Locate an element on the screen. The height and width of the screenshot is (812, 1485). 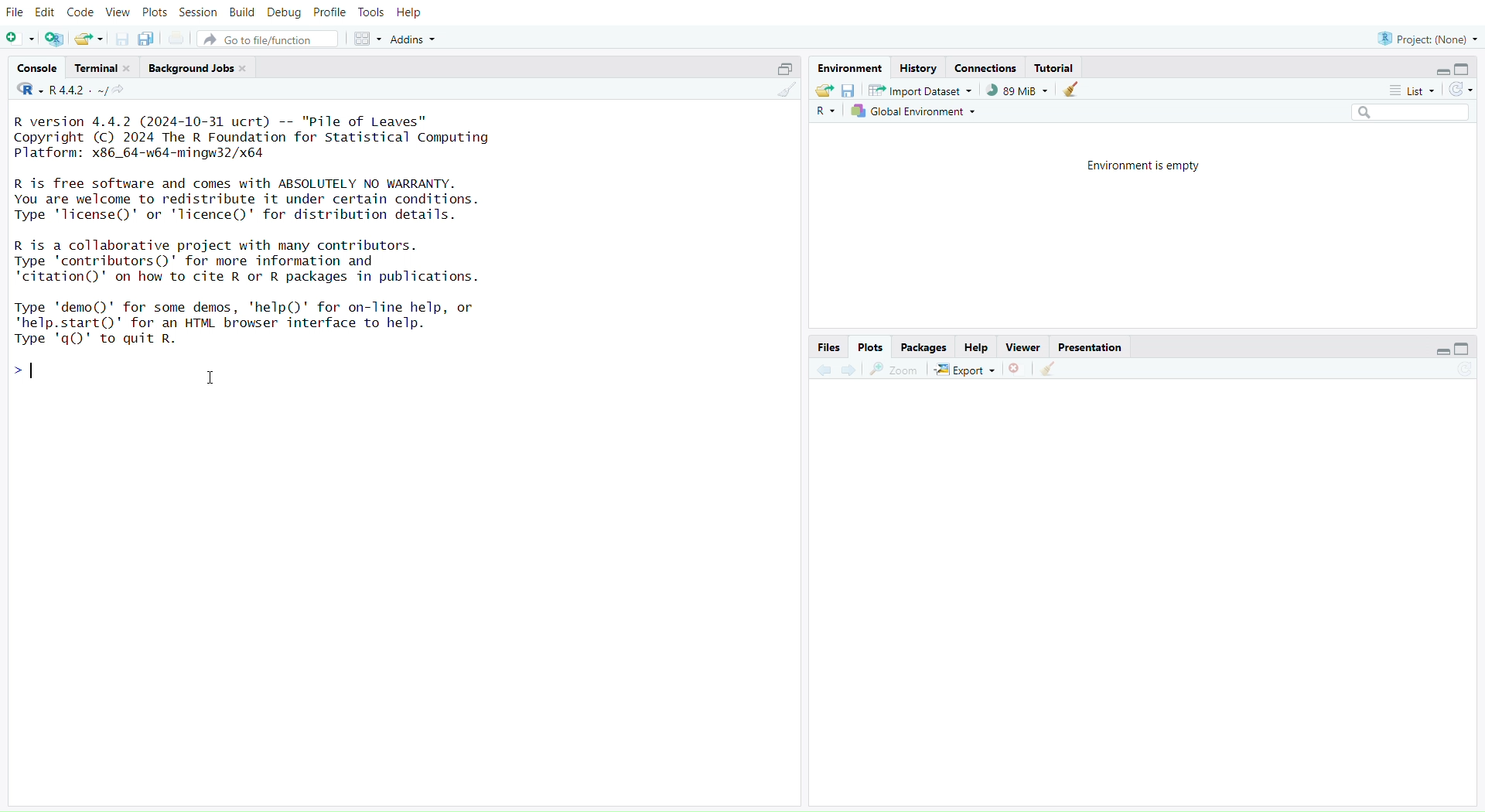
R version 4.4.2 (2024-10-31 ucrt) -- "Pile of Leaves"
Copyright (C) 2024 The R Foundation for Statistical Computing
Platform: x86_64-w64-mingw32/x64

R is free software and comes with ABSOLUTELY NO WARRANTY.
You are welcome to redistribute it under certain conditions.
Type 'license()' or 'licence()' for distribution details.

R is a collaborative project with many contributors.

Type 'contributors()' for more information and

"citation()' on how to cite R or R packages in publications.
Type 'demo()' for some demos, 'help()' for on-Tine help, or
"help.start()"' for an HTML browser interface to help.

Type 'qQ' to quit R. is located at coordinates (269, 234).